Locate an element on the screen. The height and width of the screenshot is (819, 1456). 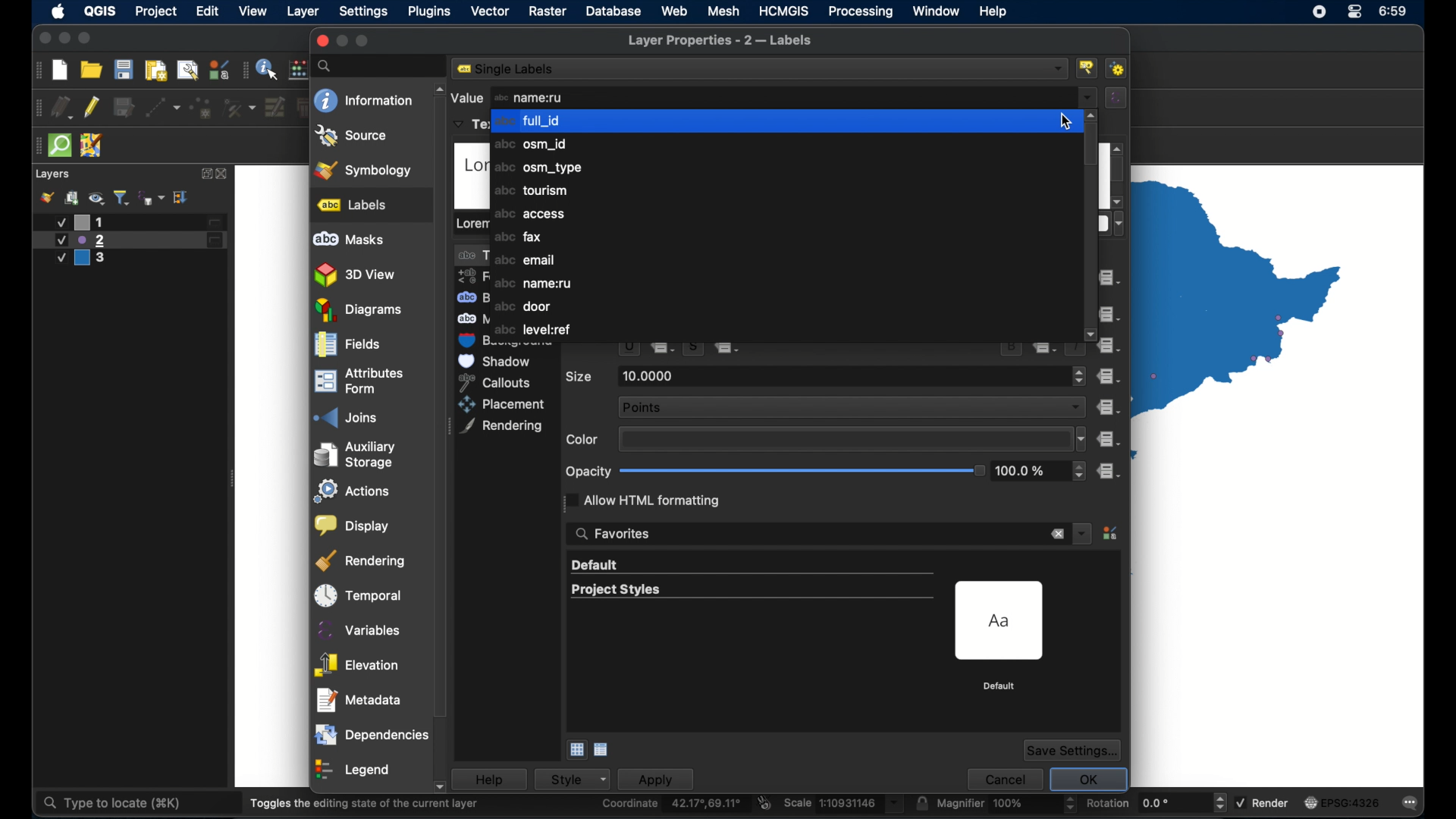
10.0000 is located at coordinates (651, 376).